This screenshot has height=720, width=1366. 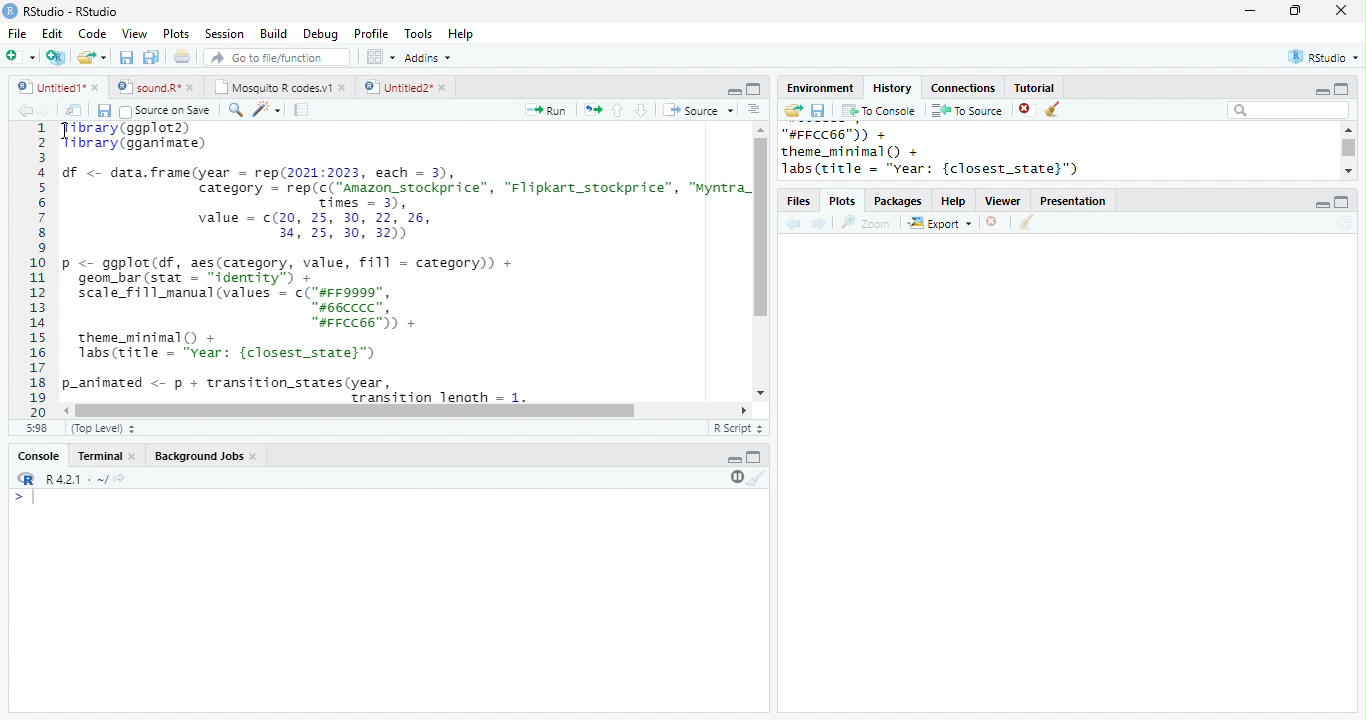 I want to click on (Top Level), so click(x=103, y=428).